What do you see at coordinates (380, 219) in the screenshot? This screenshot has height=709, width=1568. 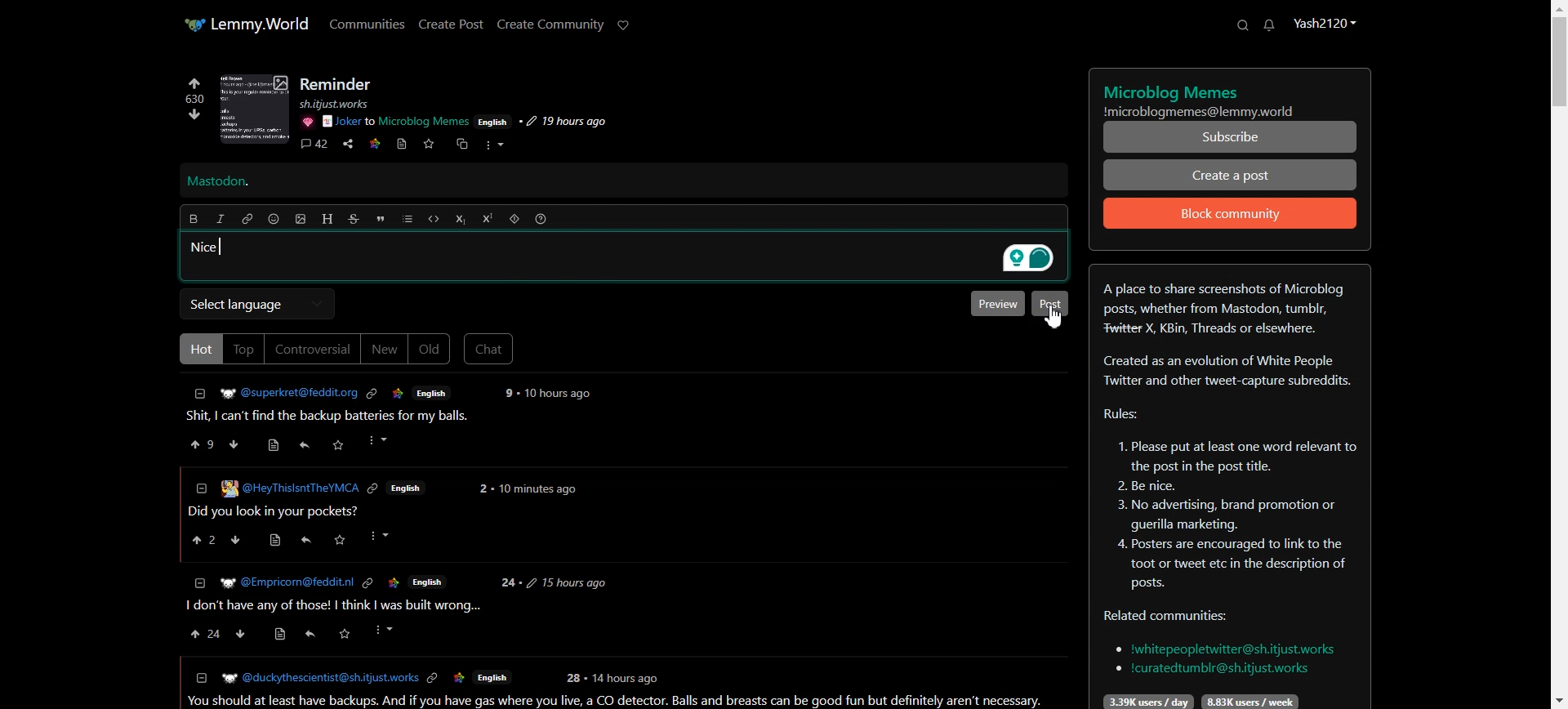 I see `Quote` at bounding box center [380, 219].